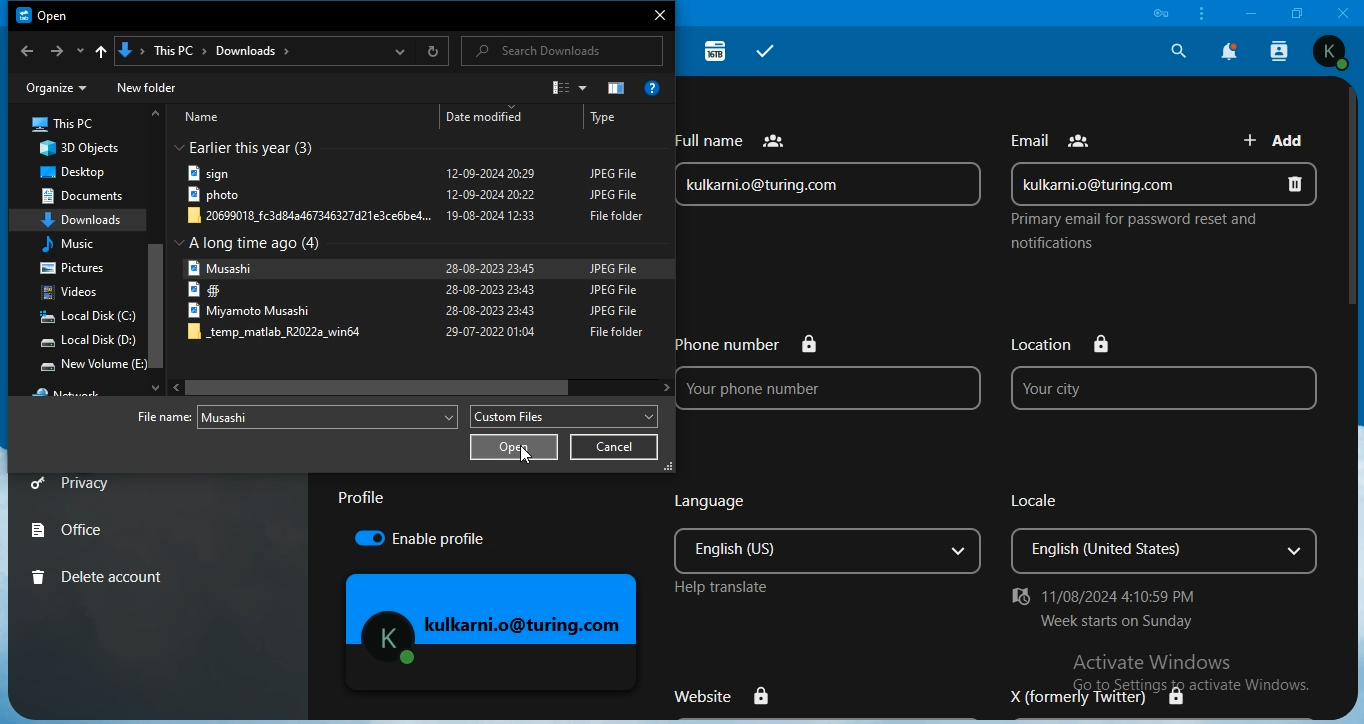  What do you see at coordinates (73, 268) in the screenshot?
I see `pictures` at bounding box center [73, 268].